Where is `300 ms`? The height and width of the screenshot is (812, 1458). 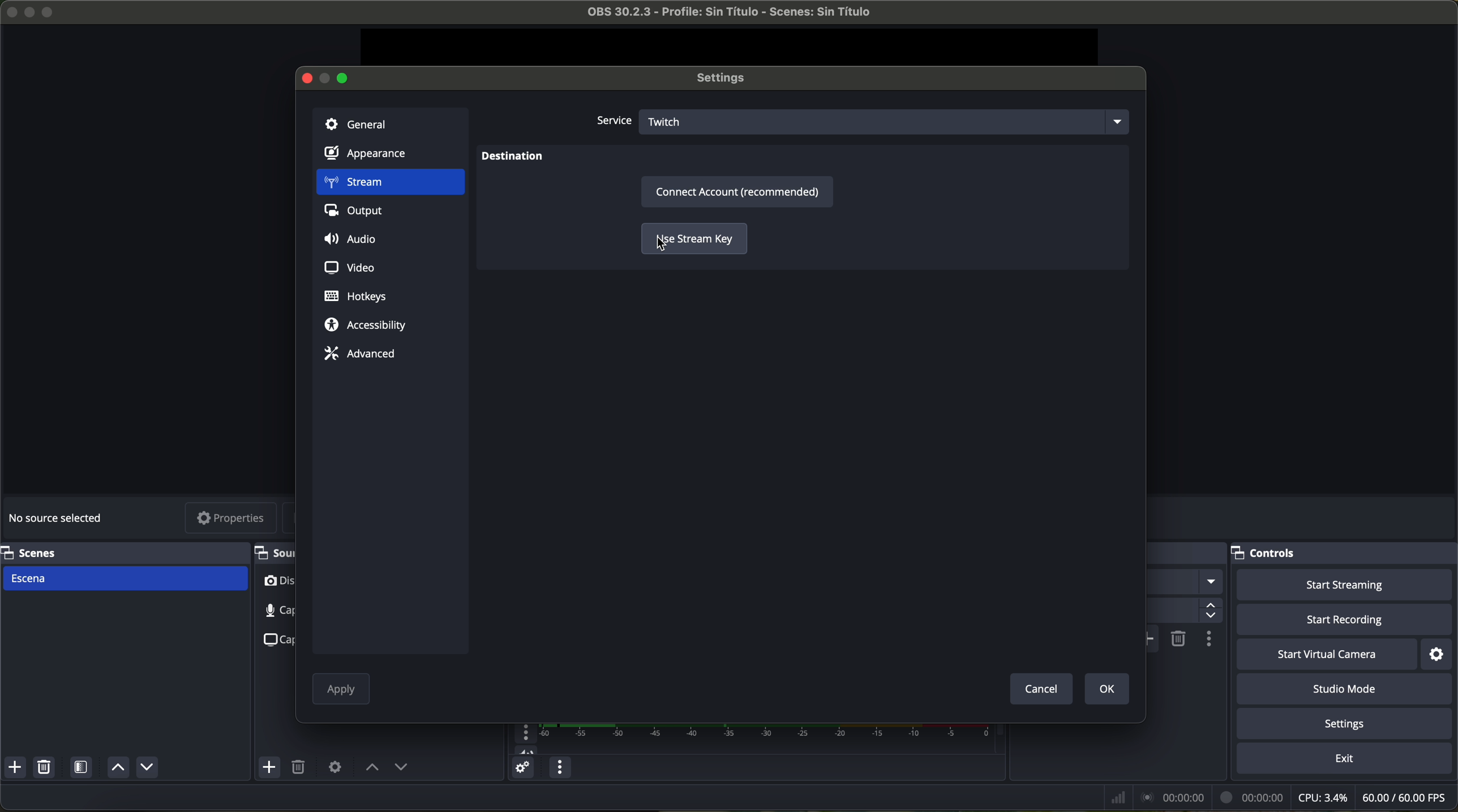
300 ms is located at coordinates (1183, 611).